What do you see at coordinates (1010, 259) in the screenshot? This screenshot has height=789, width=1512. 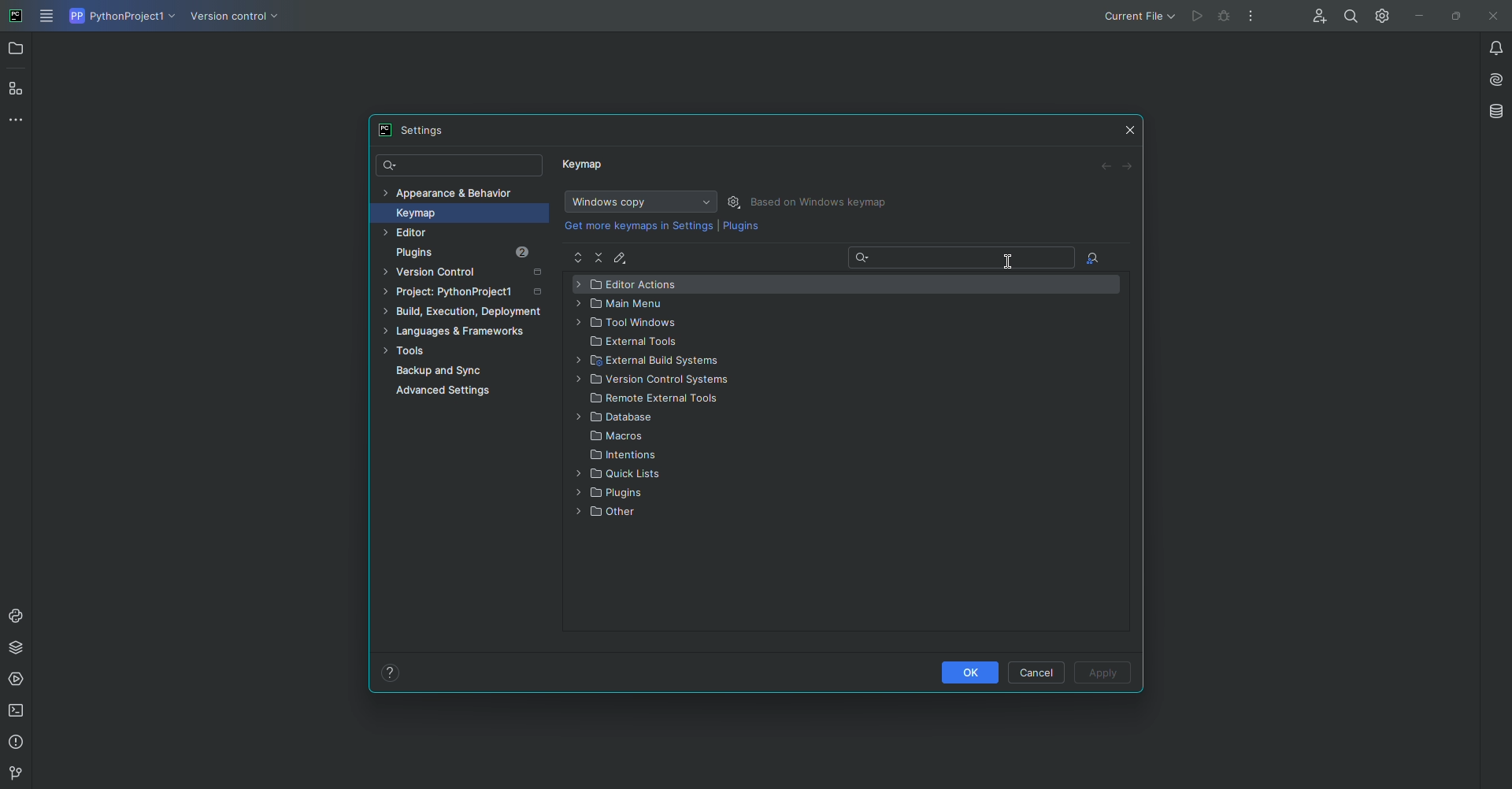 I see `Cursor` at bounding box center [1010, 259].